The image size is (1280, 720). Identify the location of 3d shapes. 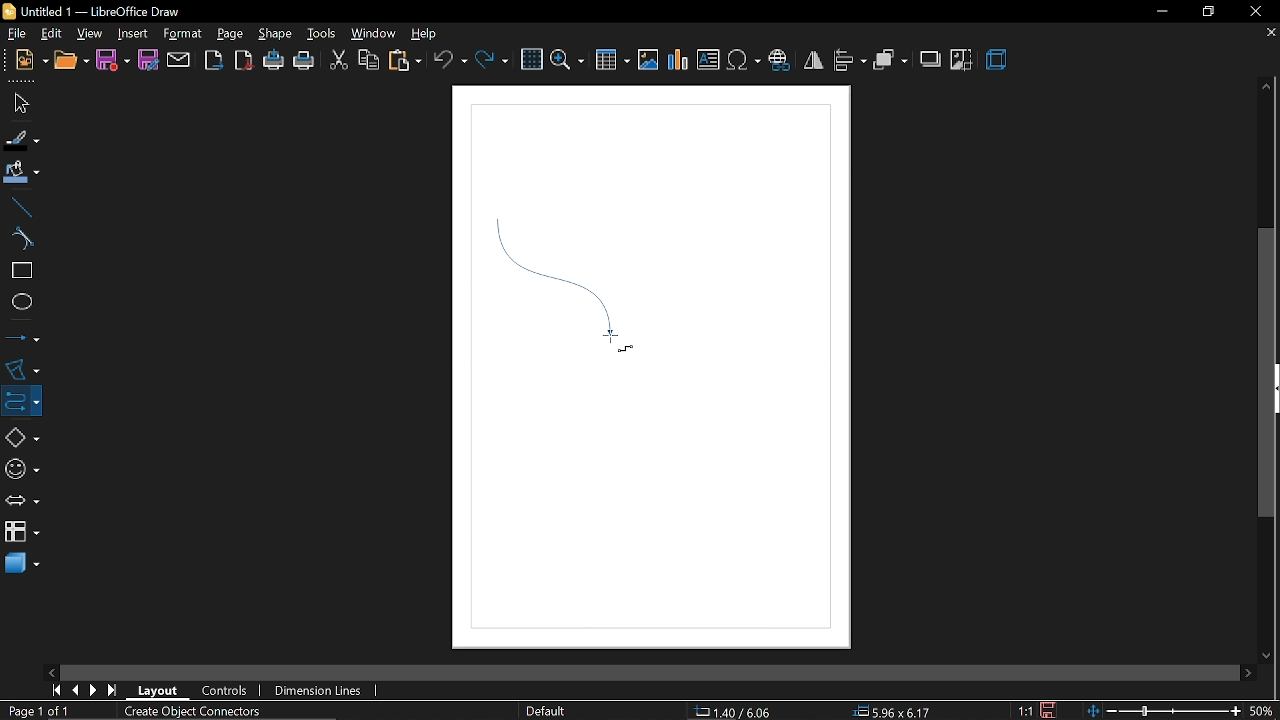
(21, 566).